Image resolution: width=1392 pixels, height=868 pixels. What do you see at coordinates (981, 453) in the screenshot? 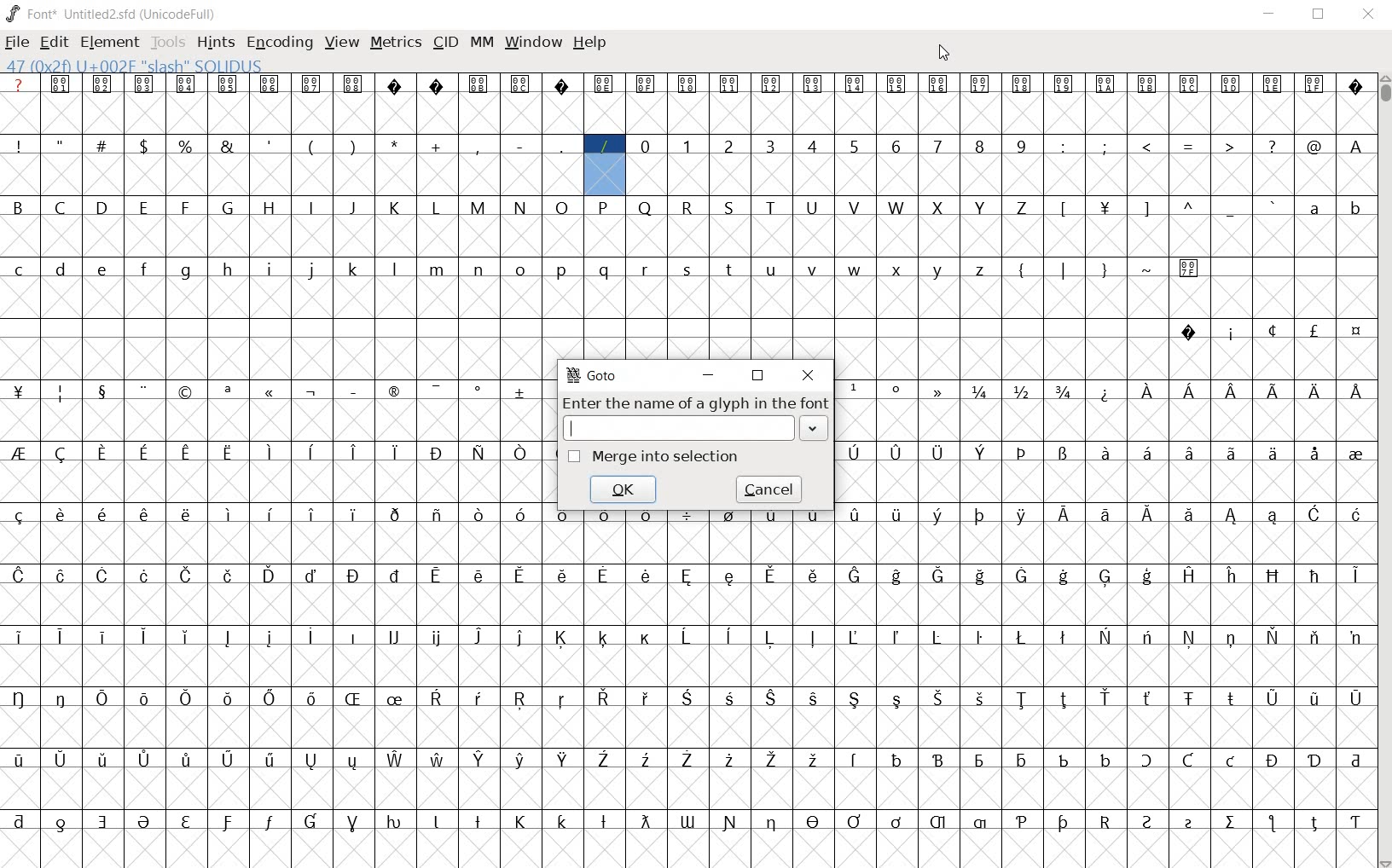
I see `glyph` at bounding box center [981, 453].